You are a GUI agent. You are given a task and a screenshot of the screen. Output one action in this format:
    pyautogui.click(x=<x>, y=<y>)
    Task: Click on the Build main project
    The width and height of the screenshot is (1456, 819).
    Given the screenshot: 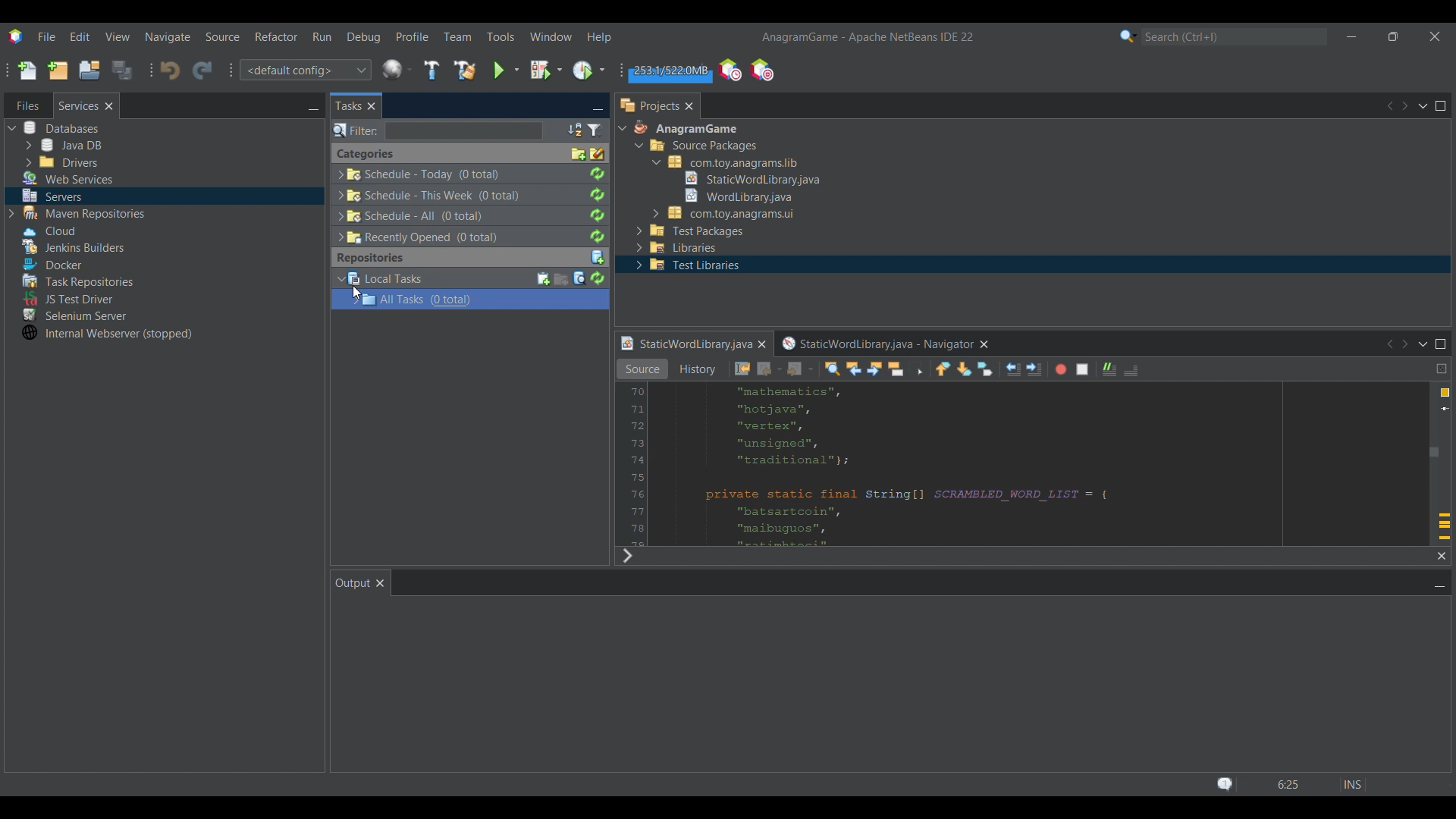 What is the action you would take?
    pyautogui.click(x=431, y=70)
    